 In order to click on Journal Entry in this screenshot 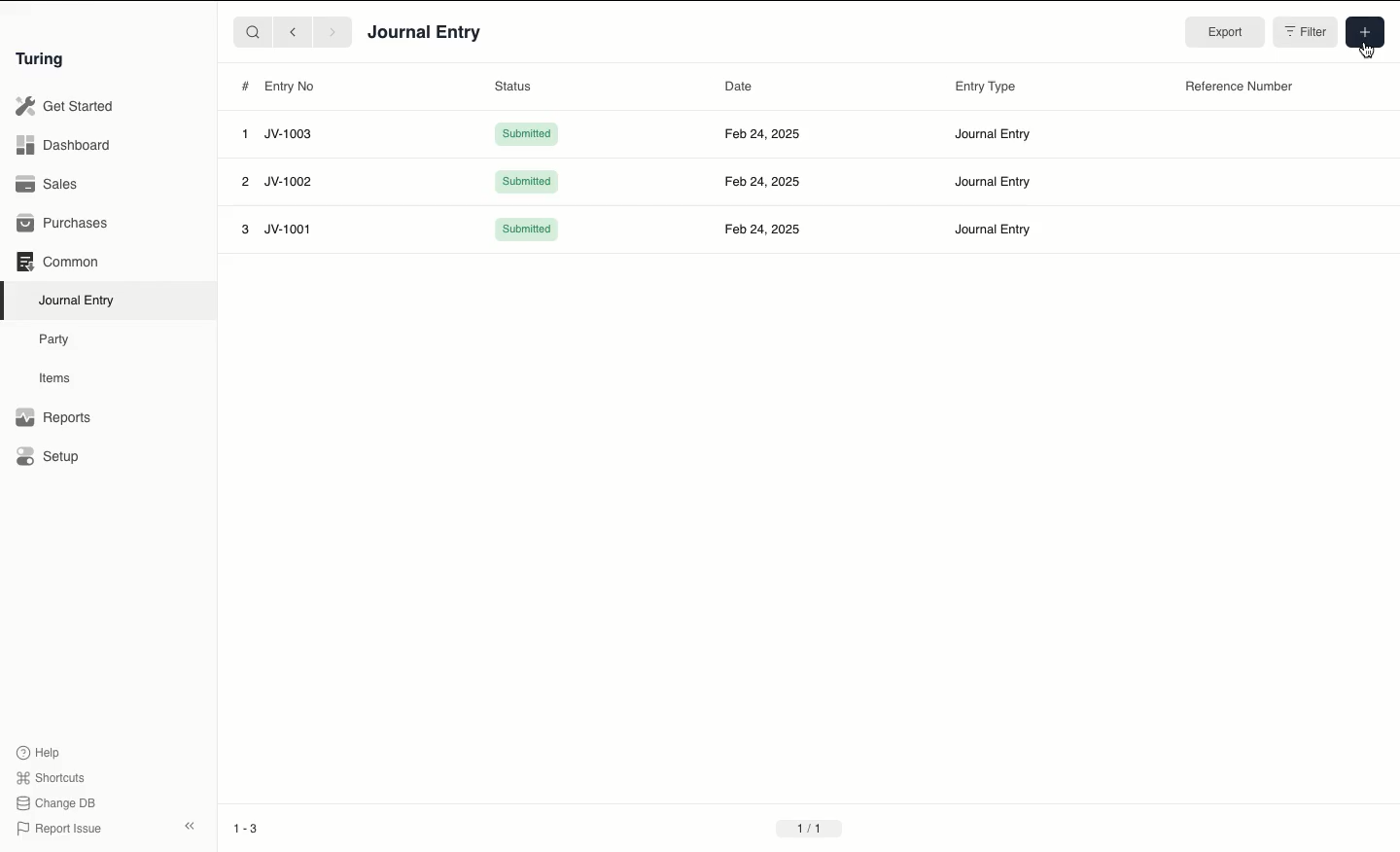, I will do `click(78, 302)`.